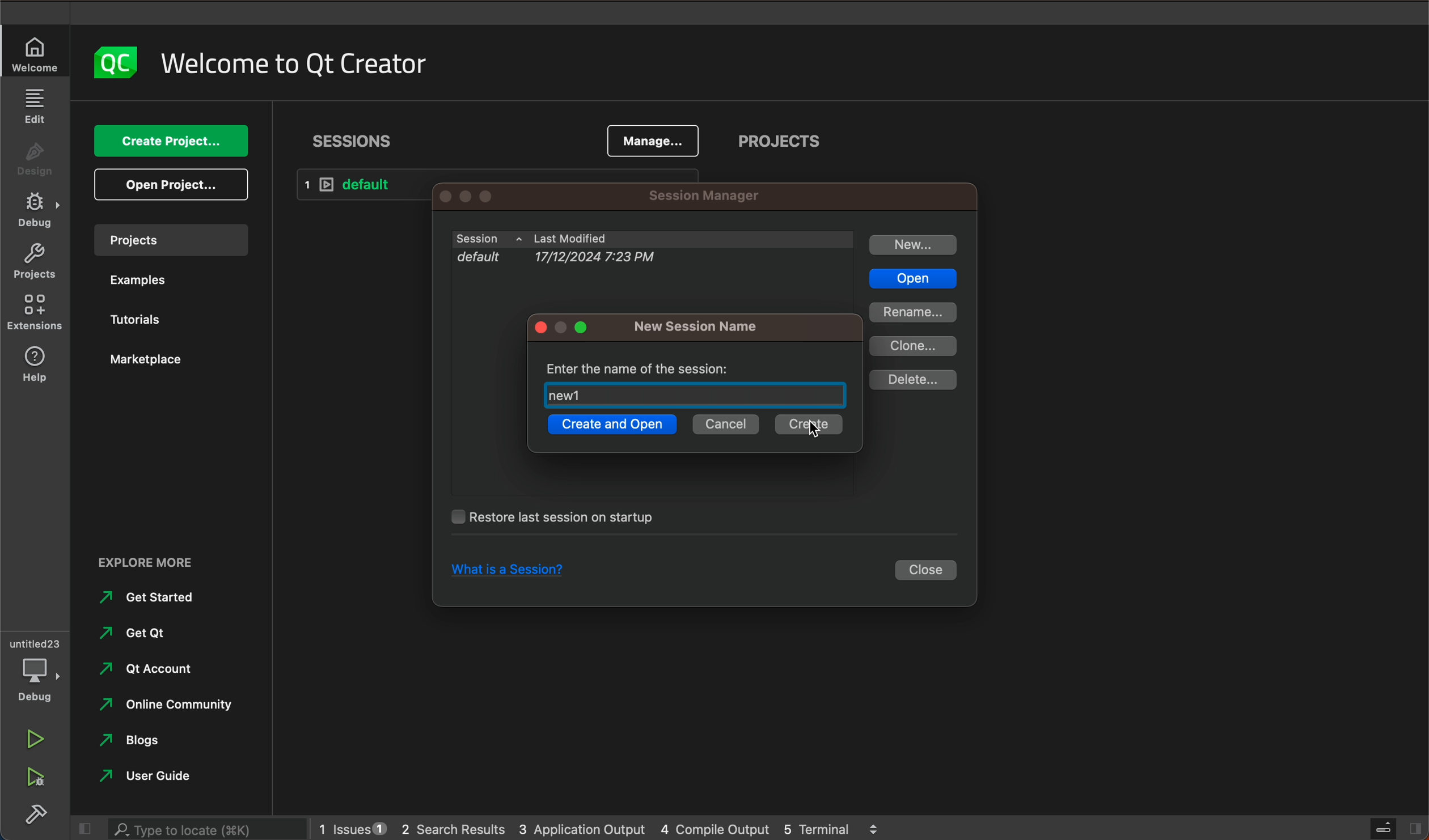 The image size is (1429, 840). I want to click on new, so click(914, 245).